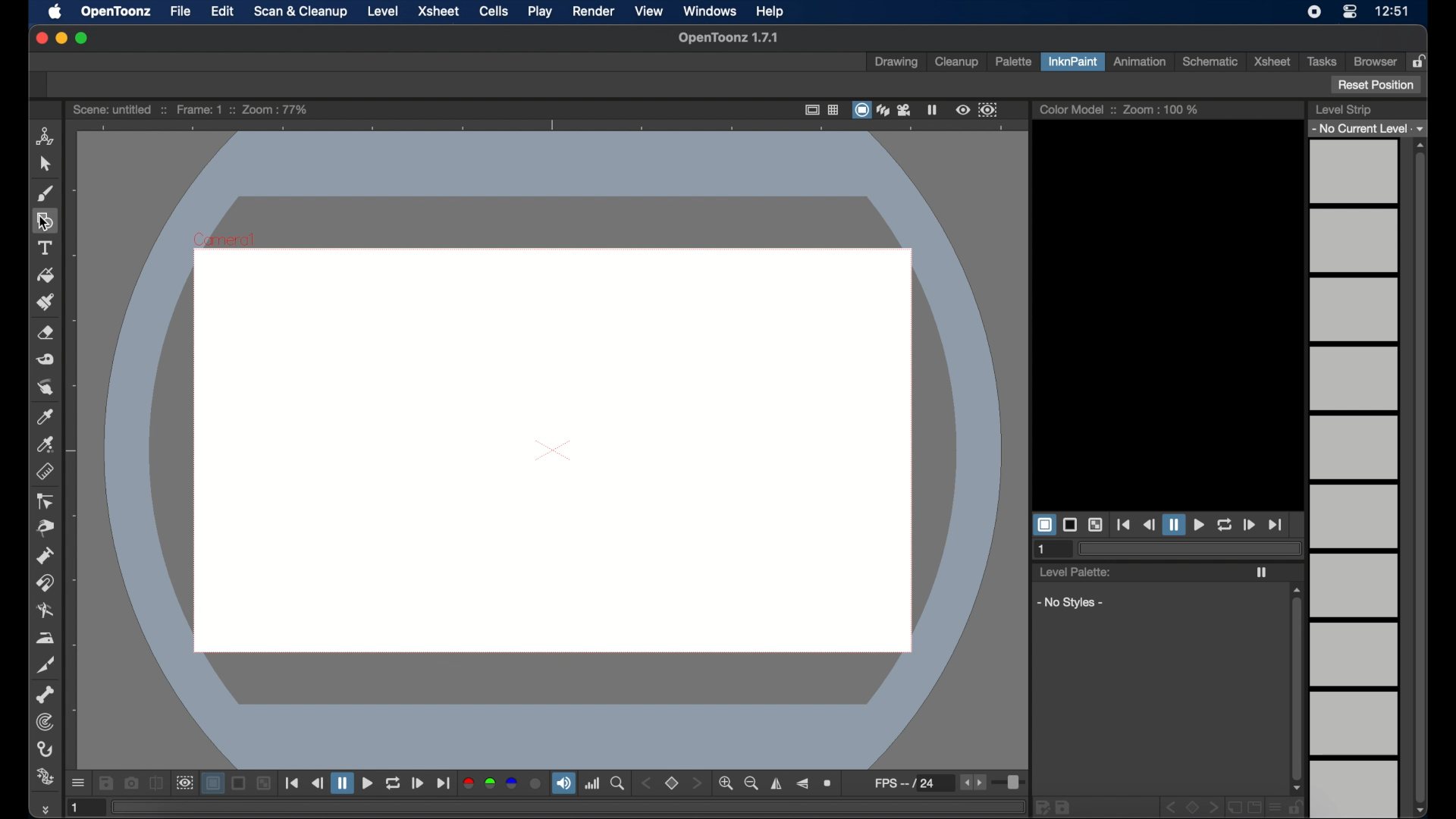 Image resolution: width=1456 pixels, height=819 pixels. Describe the element at coordinates (45, 695) in the screenshot. I see `skeleton tool` at that location.